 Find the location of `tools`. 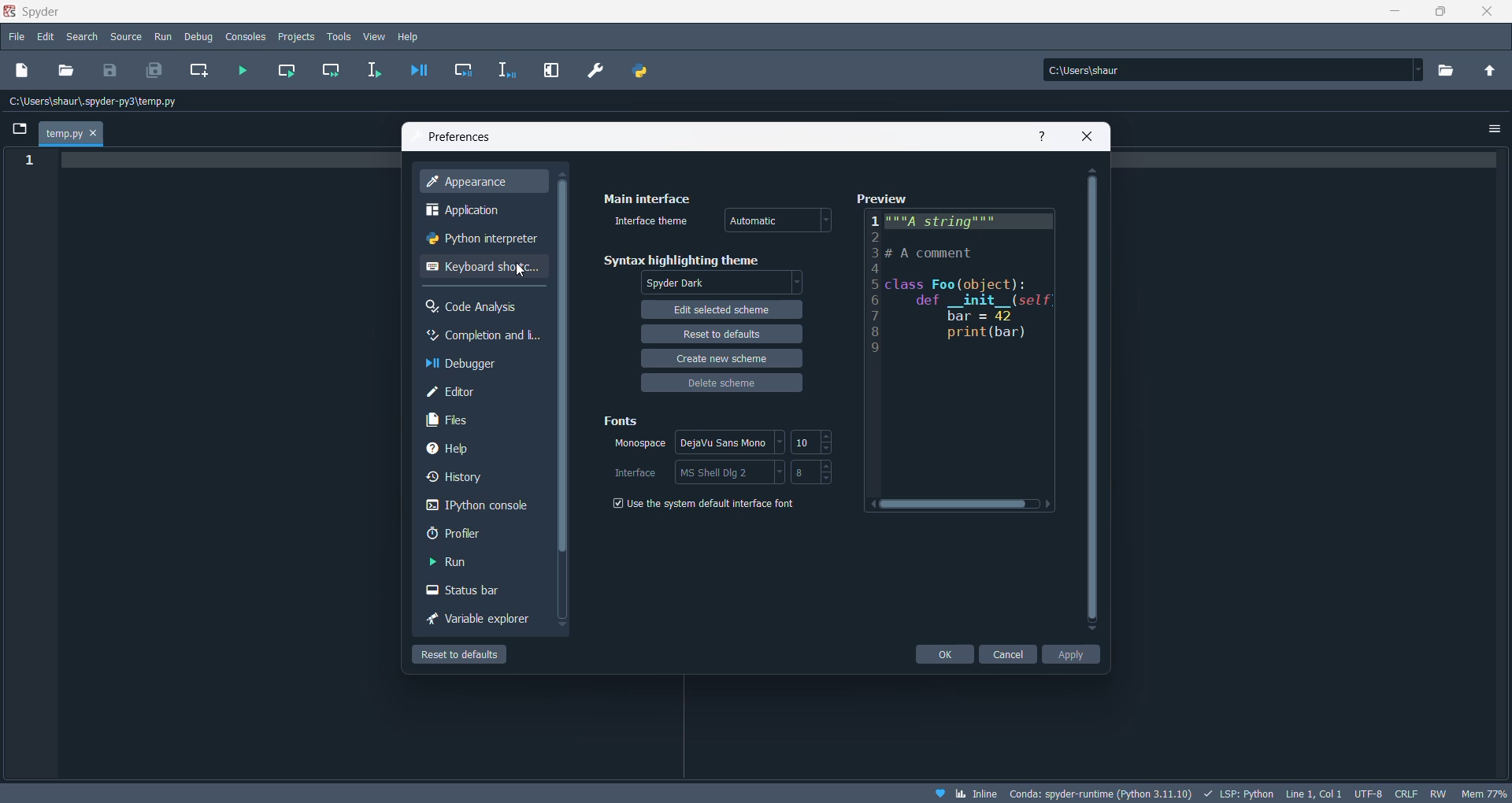

tools is located at coordinates (339, 37).